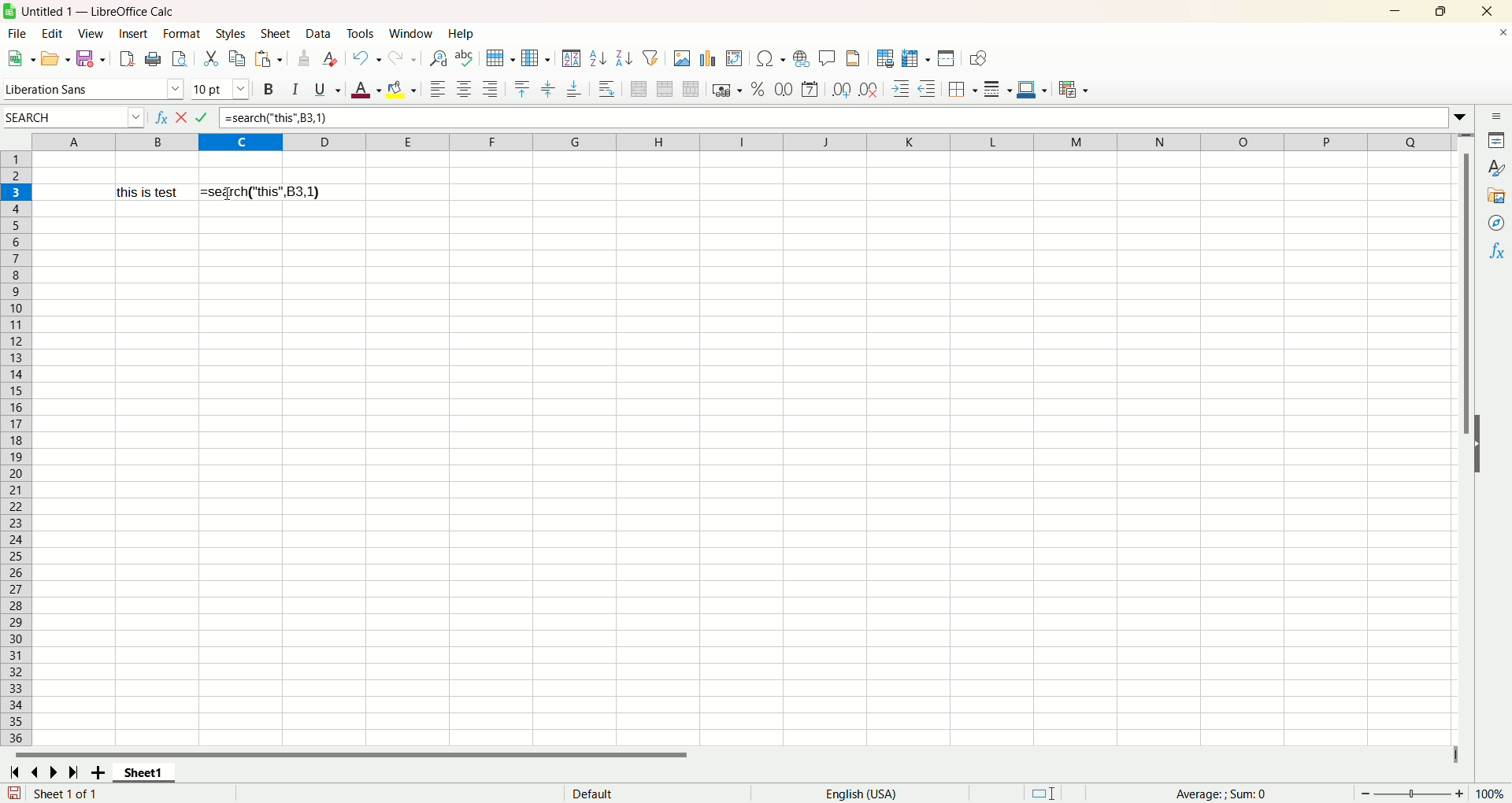 The width and height of the screenshot is (1512, 803). What do you see at coordinates (1496, 168) in the screenshot?
I see `styles` at bounding box center [1496, 168].